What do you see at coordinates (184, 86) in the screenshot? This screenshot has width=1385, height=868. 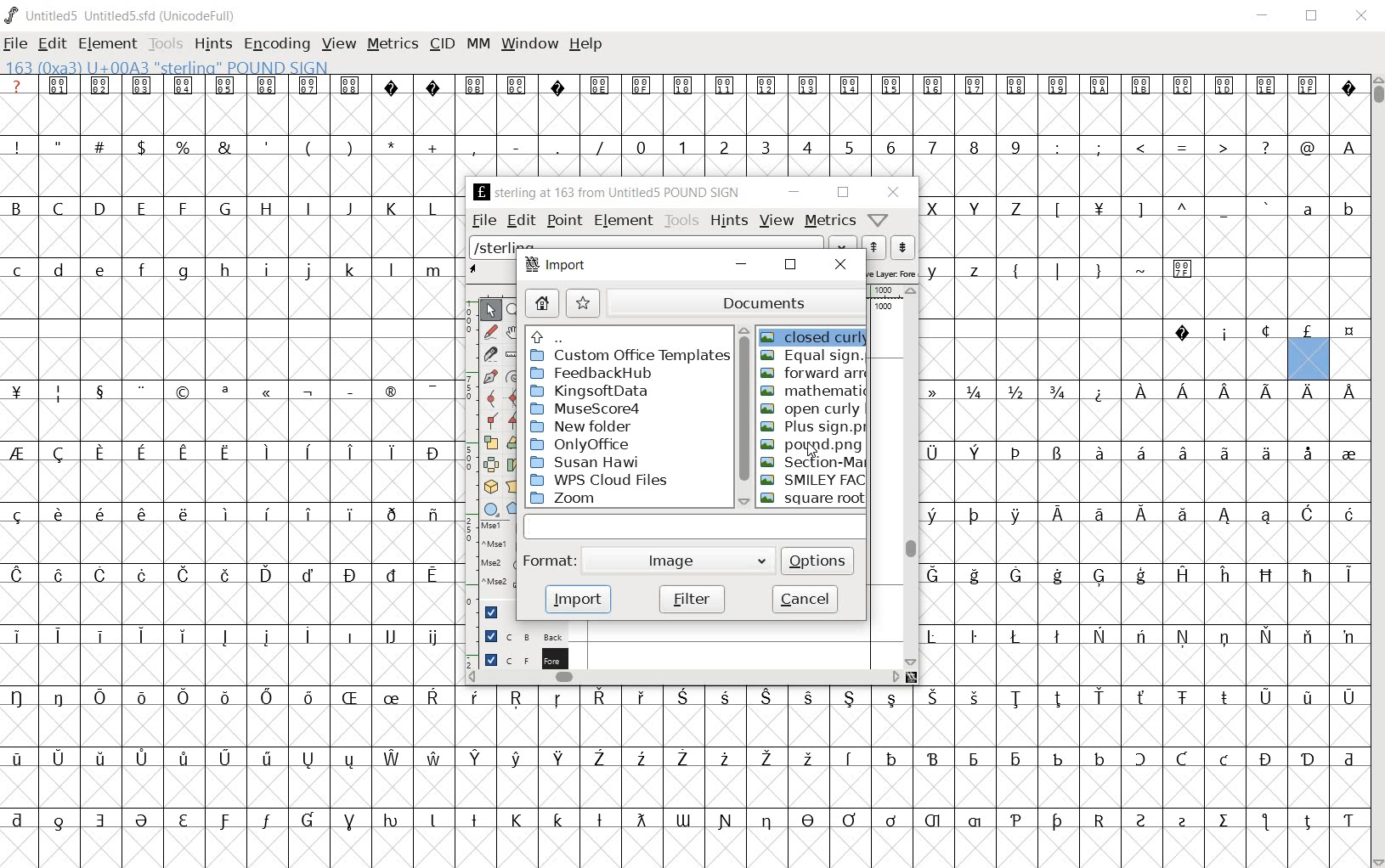 I see `Symbol` at bounding box center [184, 86].